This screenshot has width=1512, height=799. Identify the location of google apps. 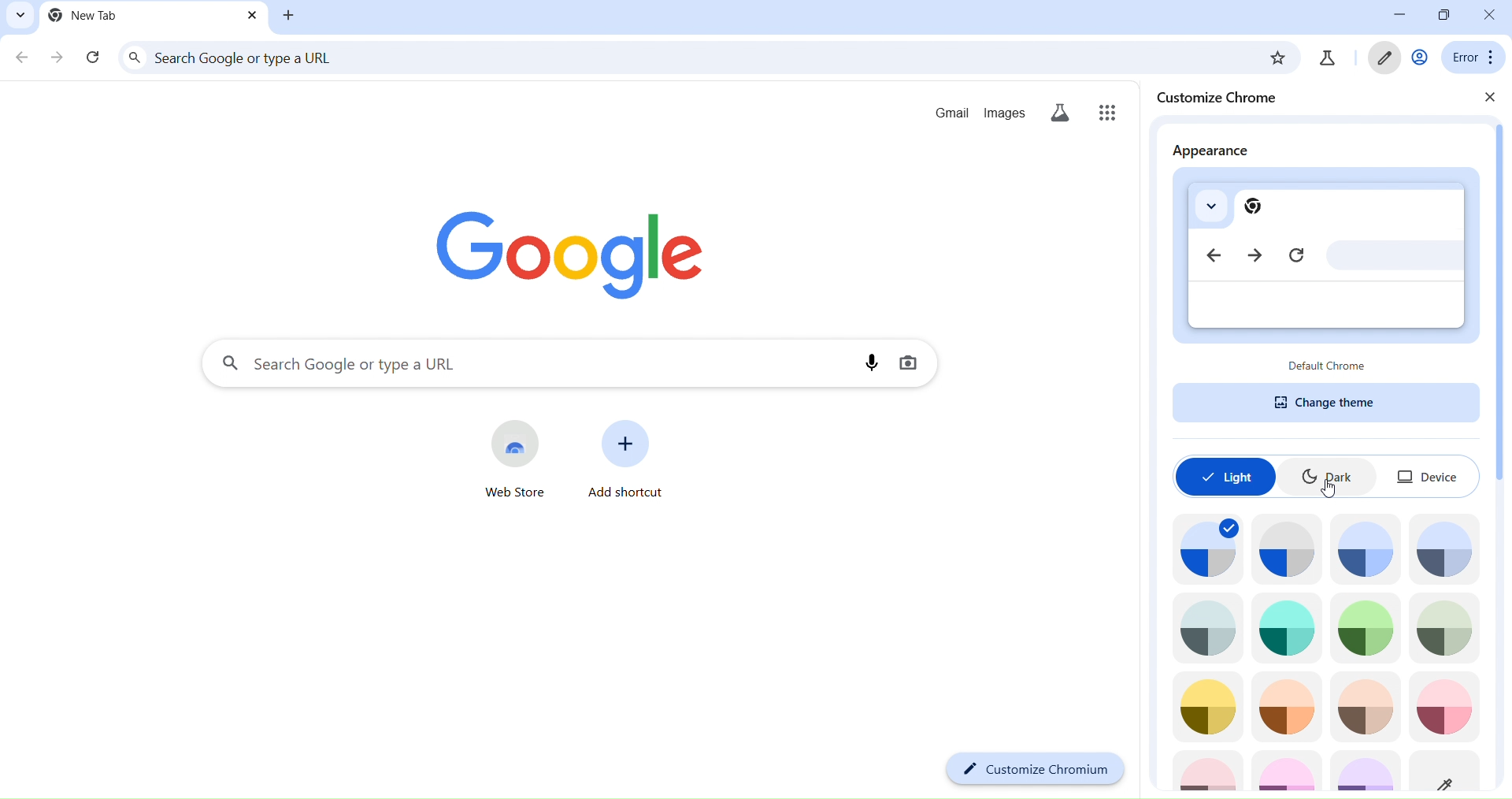
(1110, 111).